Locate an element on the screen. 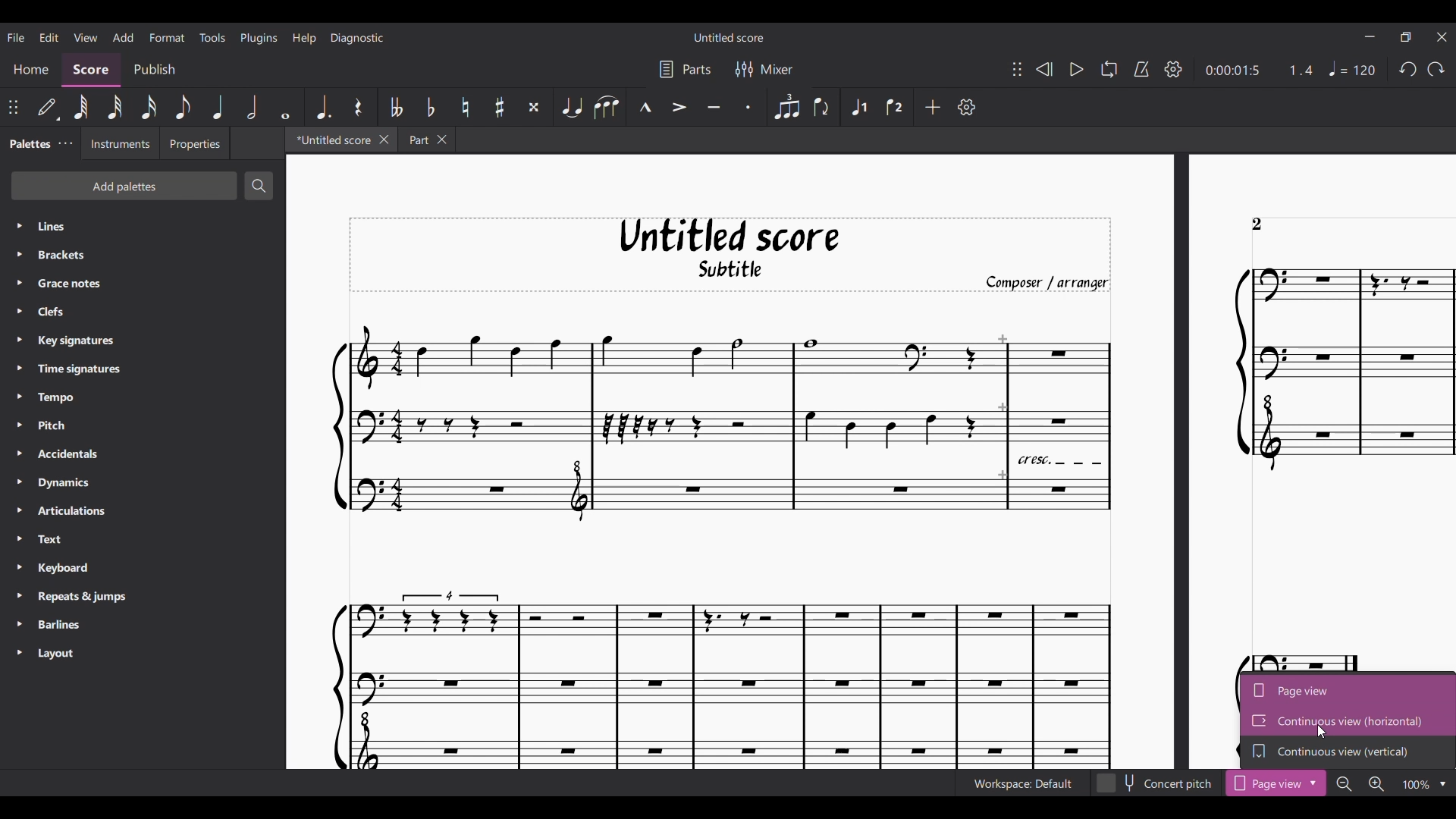  Tempo is located at coordinates (1351, 69).